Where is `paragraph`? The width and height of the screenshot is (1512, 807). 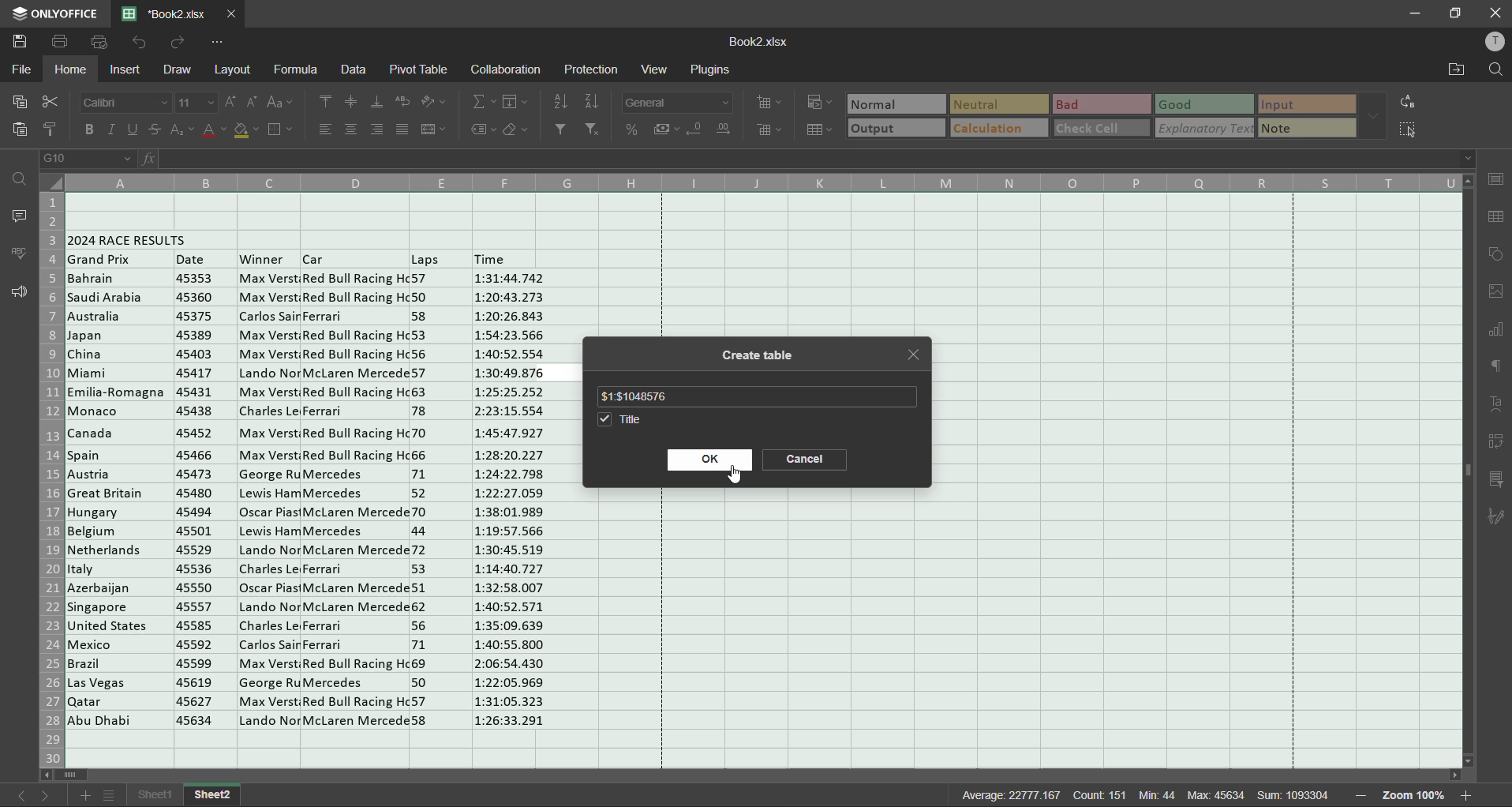 paragraph is located at coordinates (1494, 371).